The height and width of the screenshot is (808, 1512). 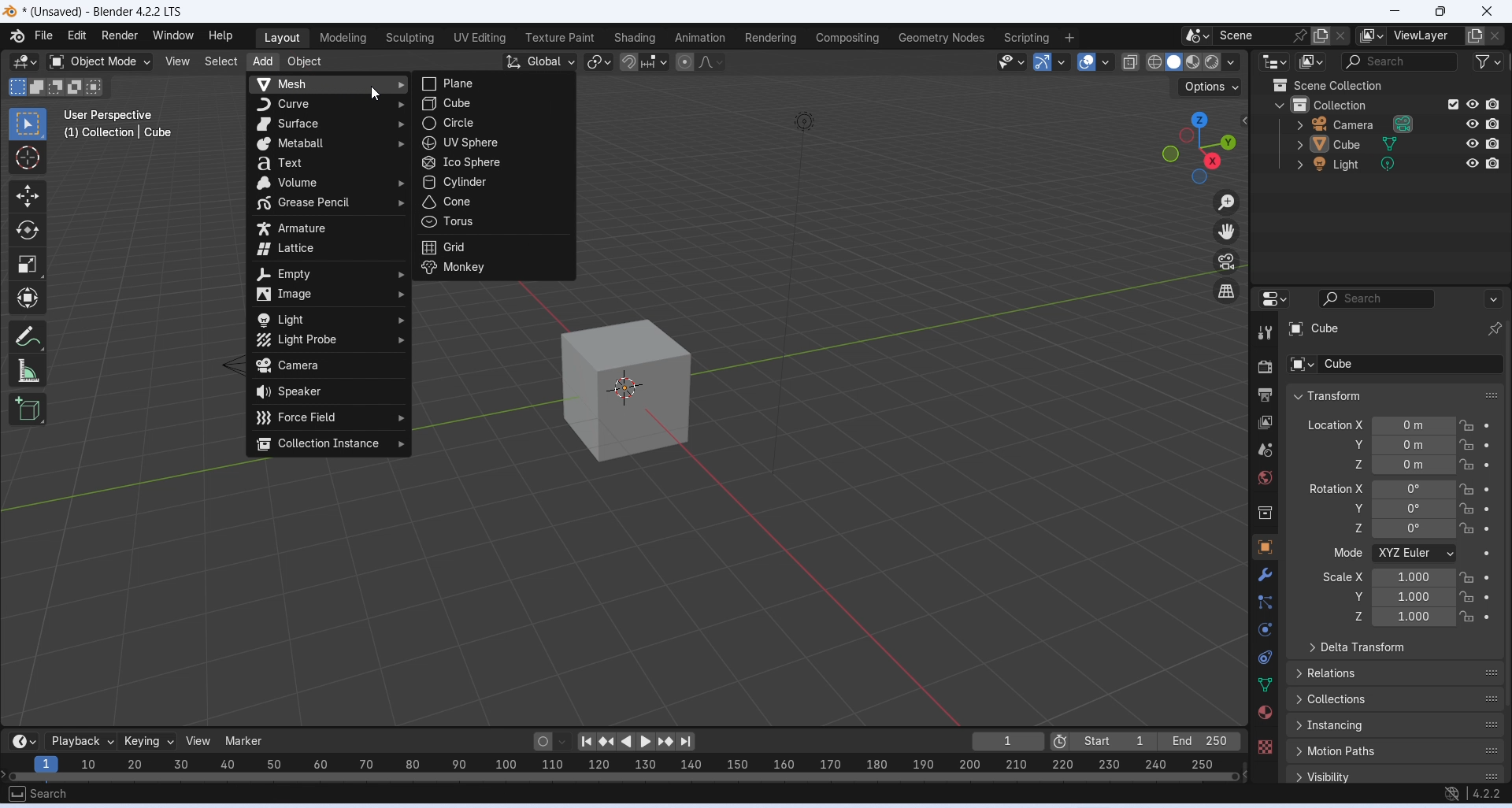 I want to click on light probe, so click(x=330, y=340).